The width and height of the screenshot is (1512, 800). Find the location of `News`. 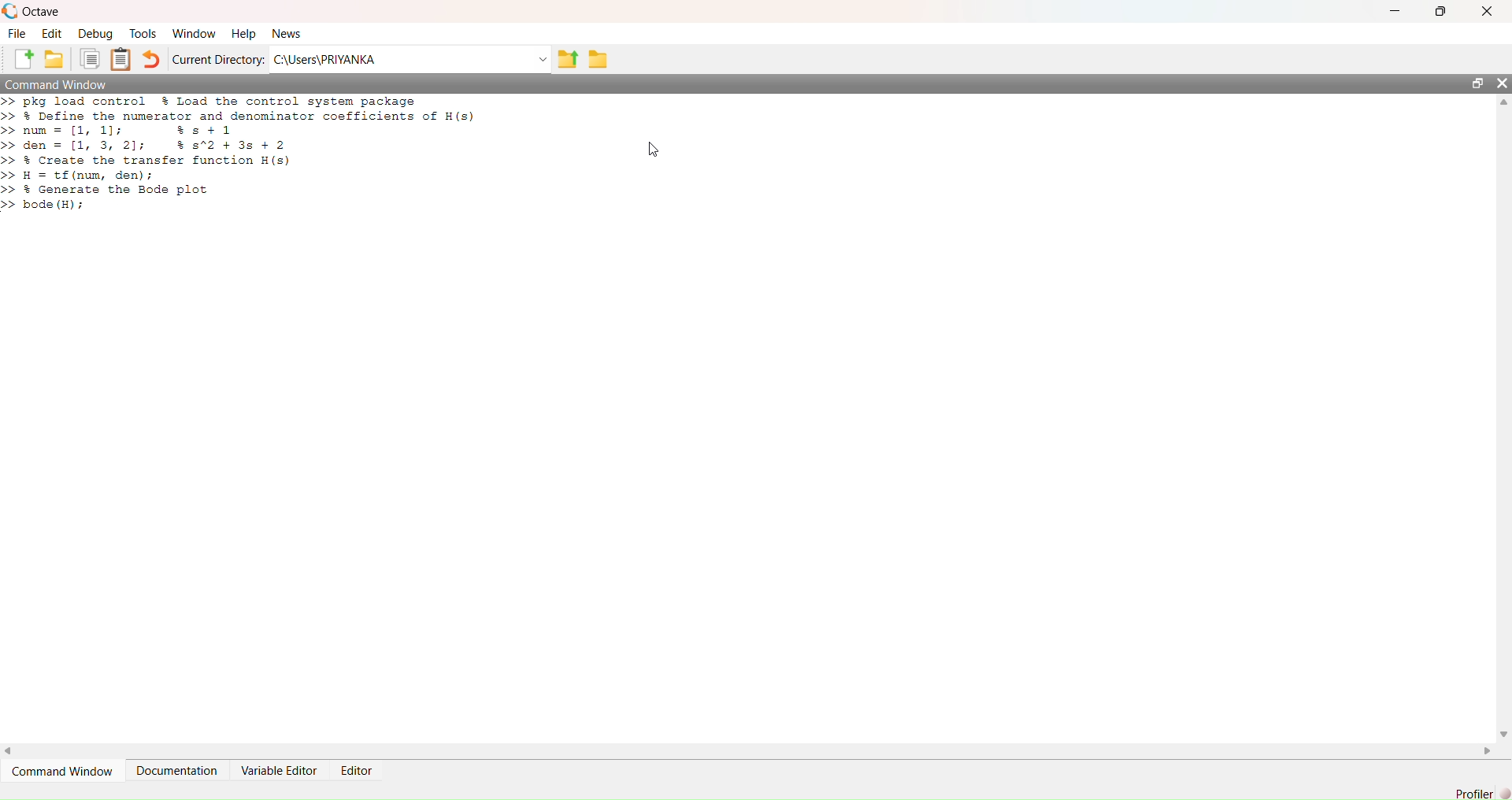

News is located at coordinates (286, 32).